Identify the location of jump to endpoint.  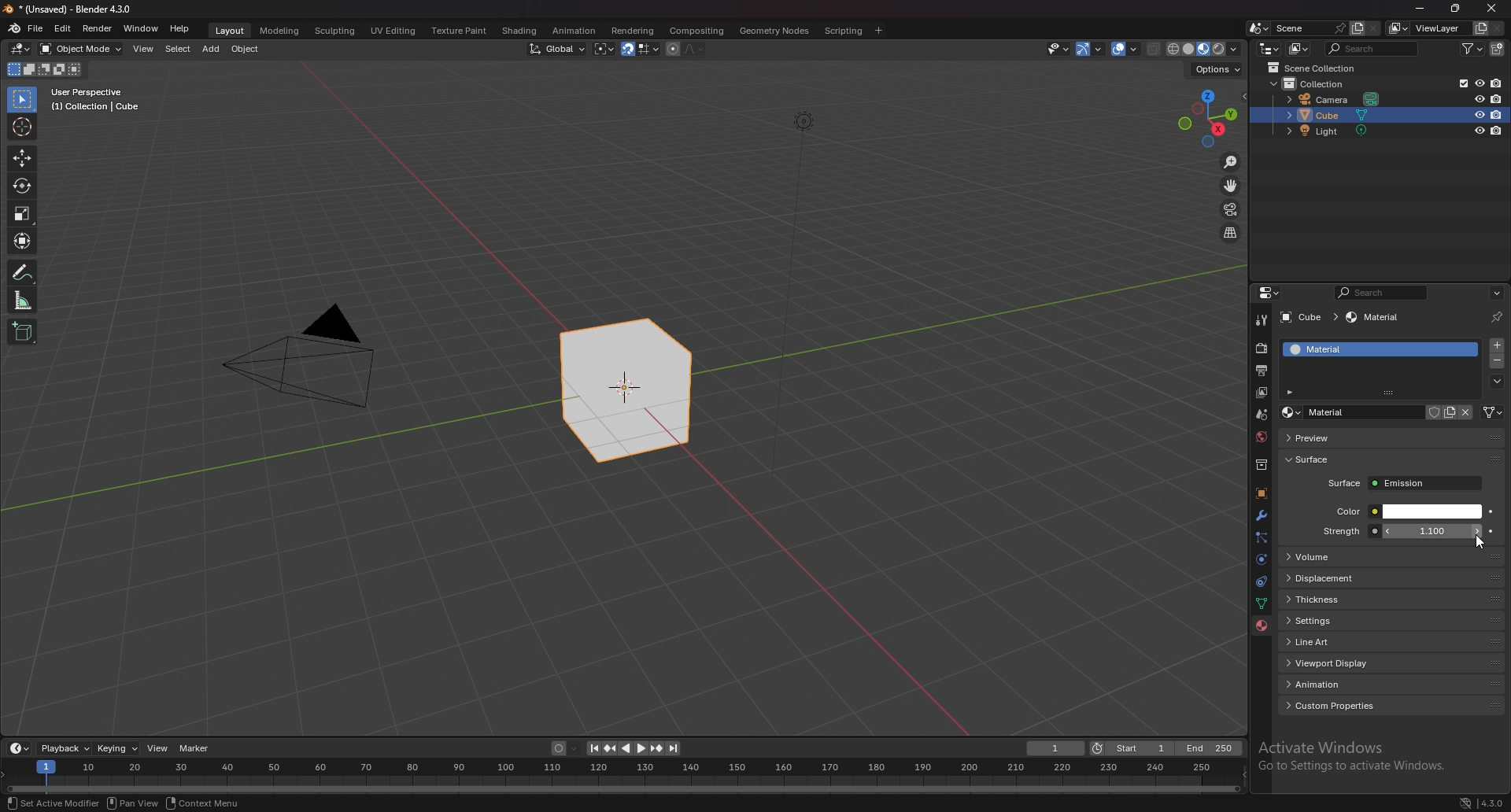
(590, 748).